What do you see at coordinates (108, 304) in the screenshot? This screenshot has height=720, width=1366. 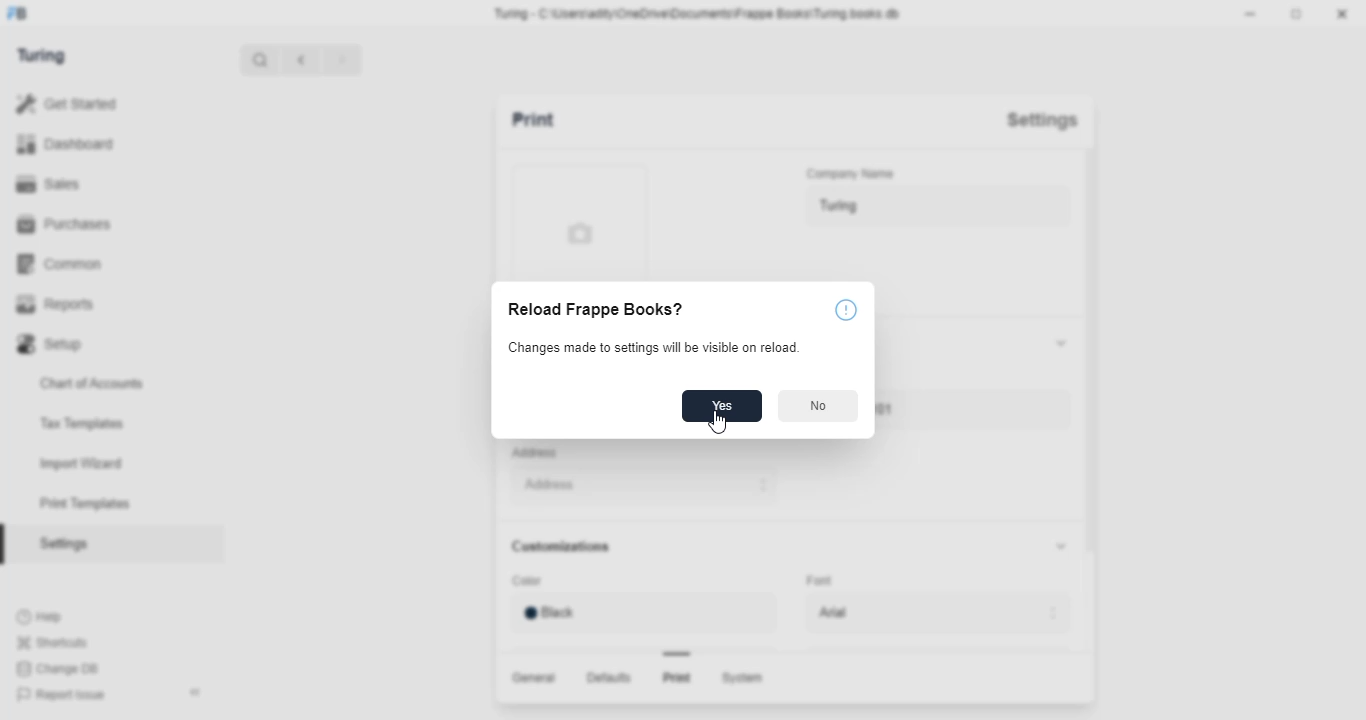 I see `Reports.` at bounding box center [108, 304].